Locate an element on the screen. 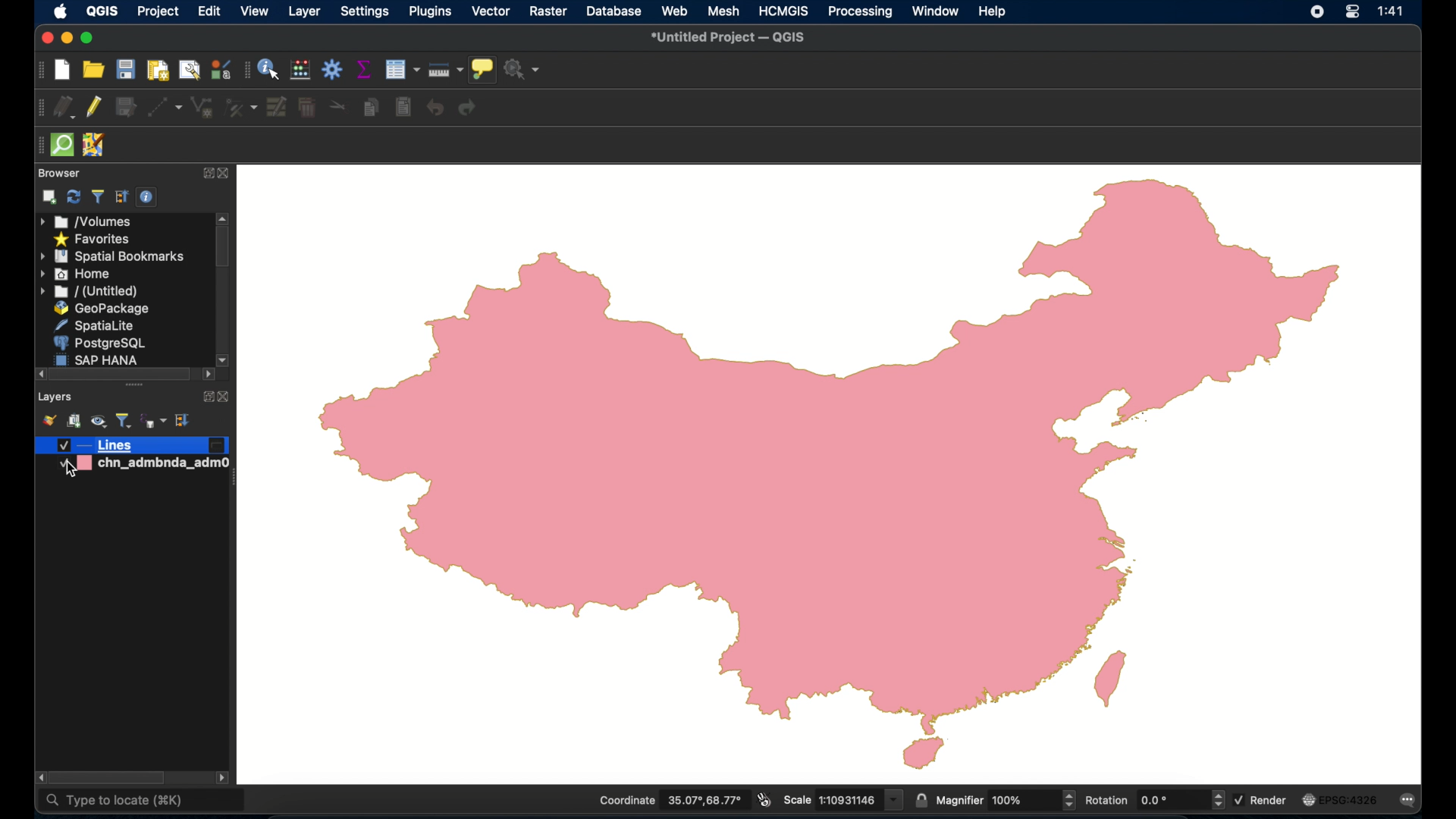  toggle editing is located at coordinates (93, 108).